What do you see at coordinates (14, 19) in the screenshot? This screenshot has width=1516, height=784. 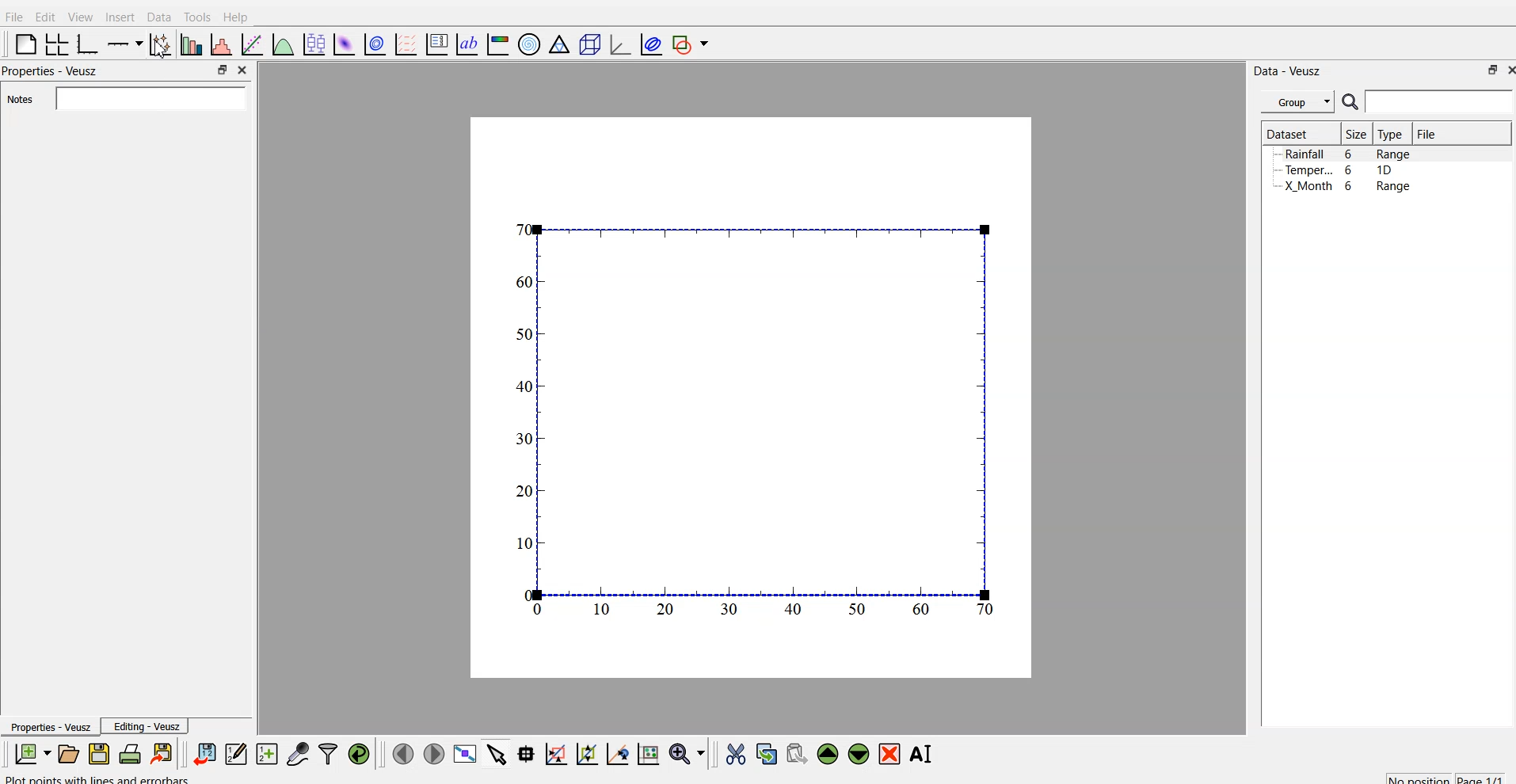 I see `Flle` at bounding box center [14, 19].